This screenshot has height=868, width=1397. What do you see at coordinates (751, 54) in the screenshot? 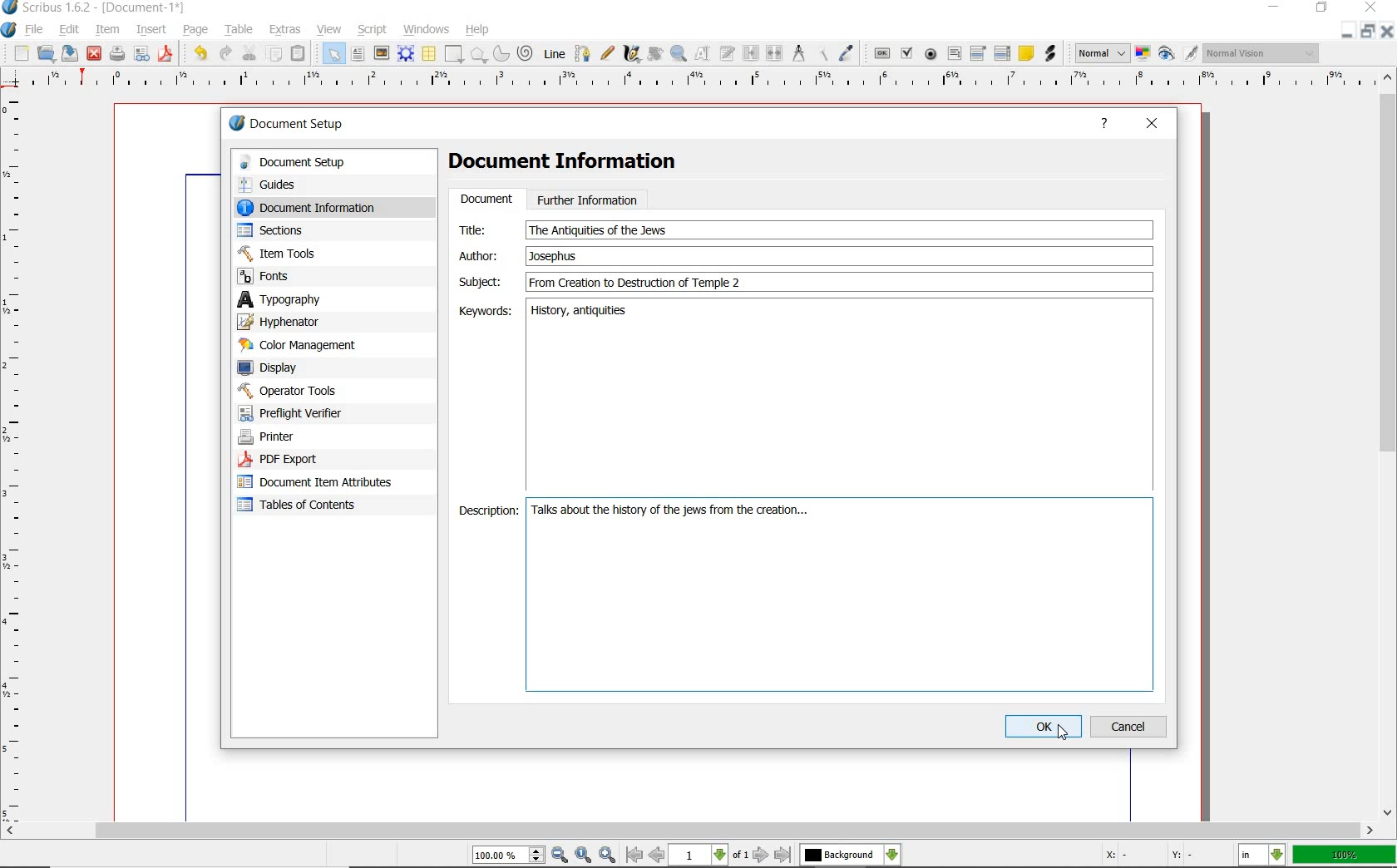
I see `link text frames` at bounding box center [751, 54].